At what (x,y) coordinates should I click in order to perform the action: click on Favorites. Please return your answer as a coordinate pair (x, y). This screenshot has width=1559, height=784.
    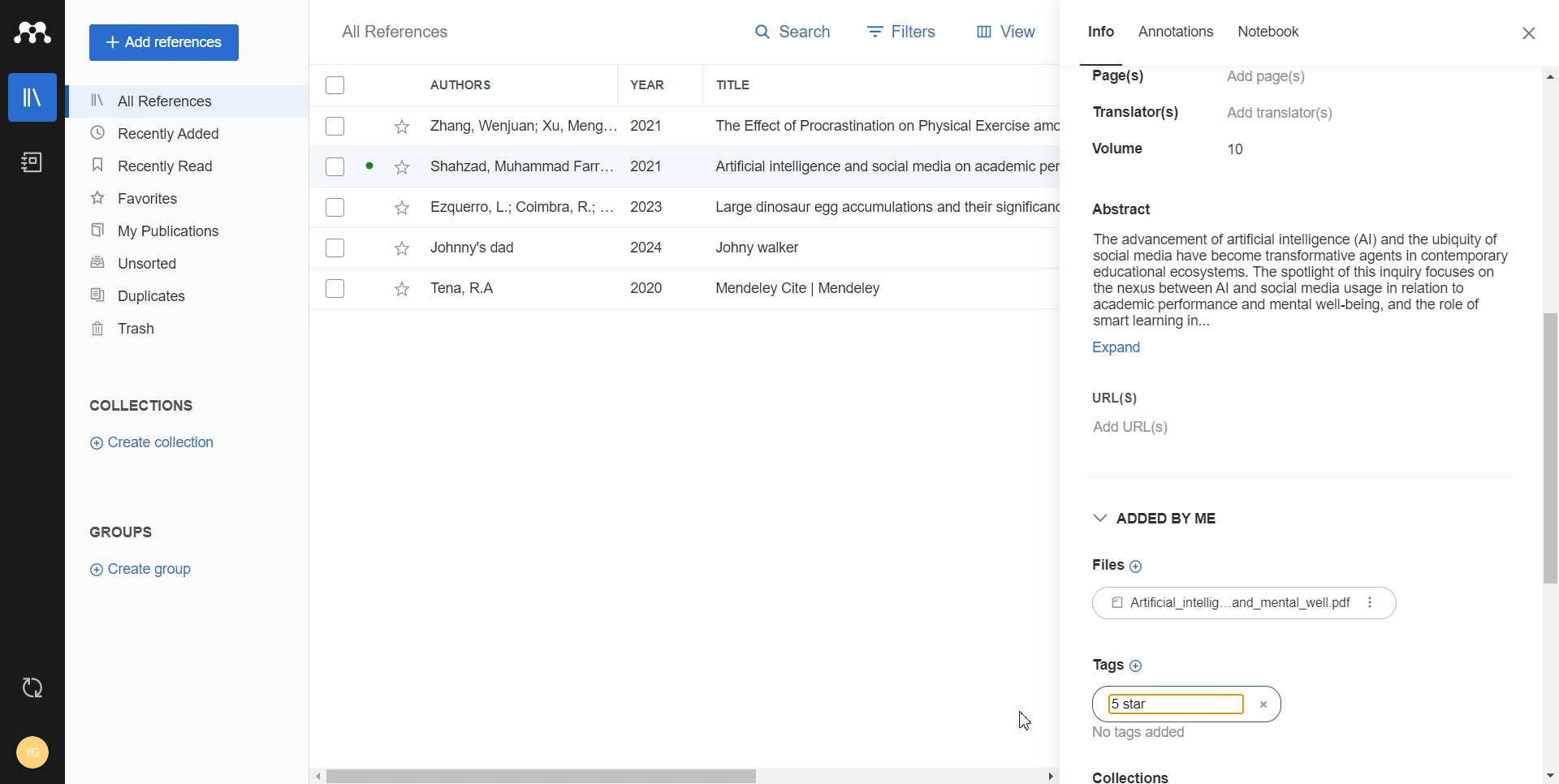
    Looking at the image, I should click on (183, 196).